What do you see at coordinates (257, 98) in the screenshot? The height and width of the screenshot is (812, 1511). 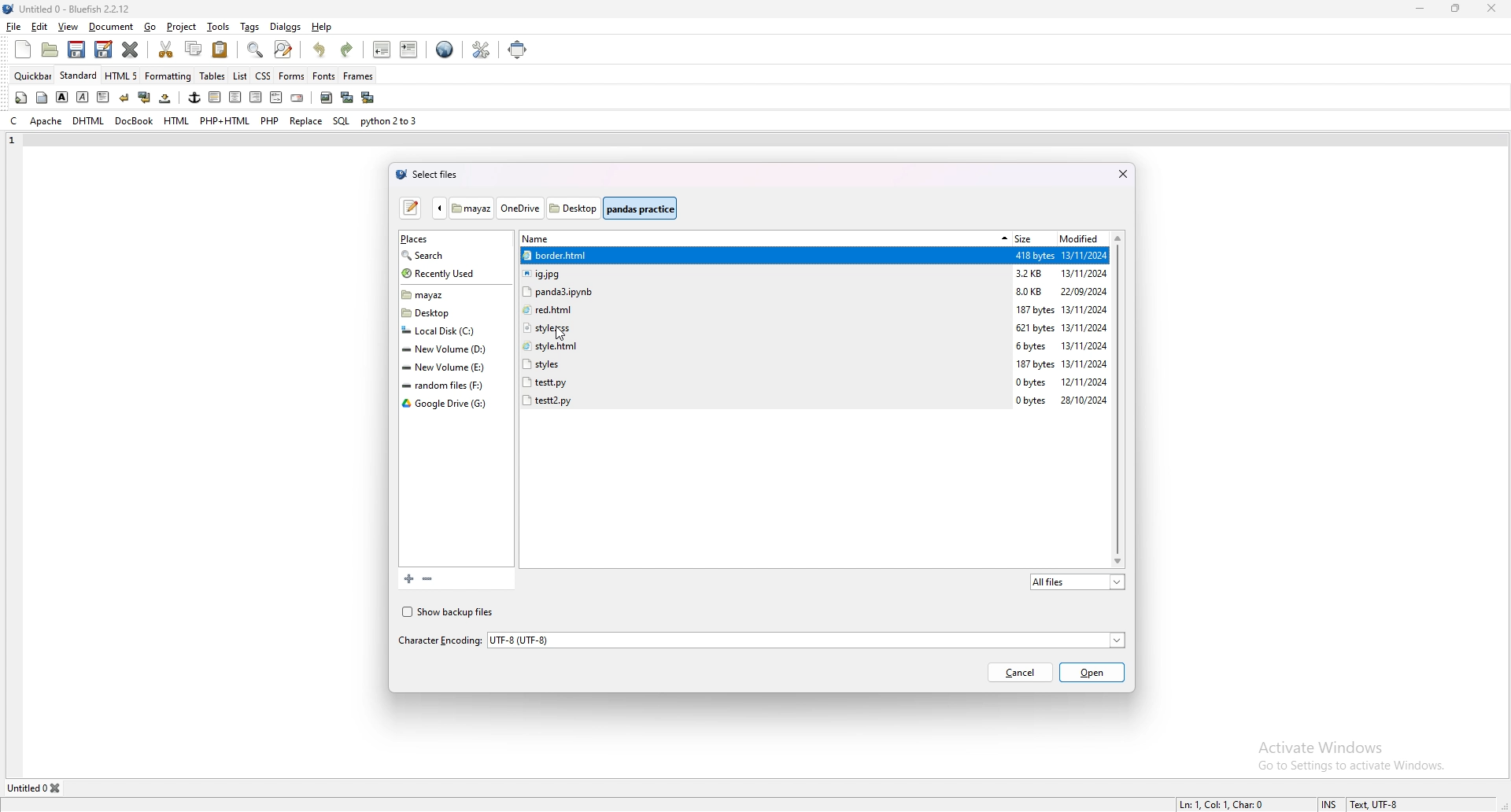 I see `right justify` at bounding box center [257, 98].